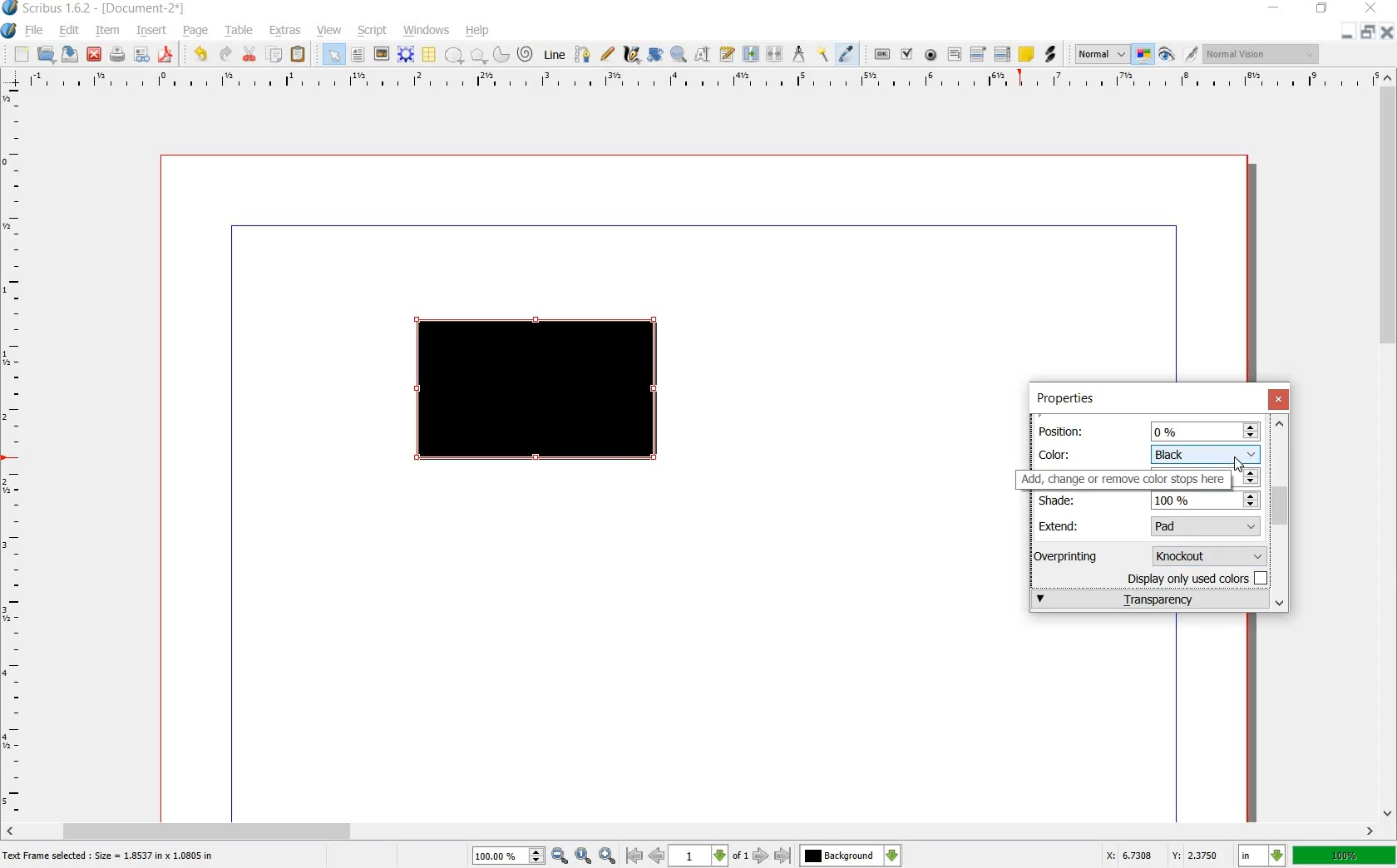  I want to click on close, so click(1281, 400).